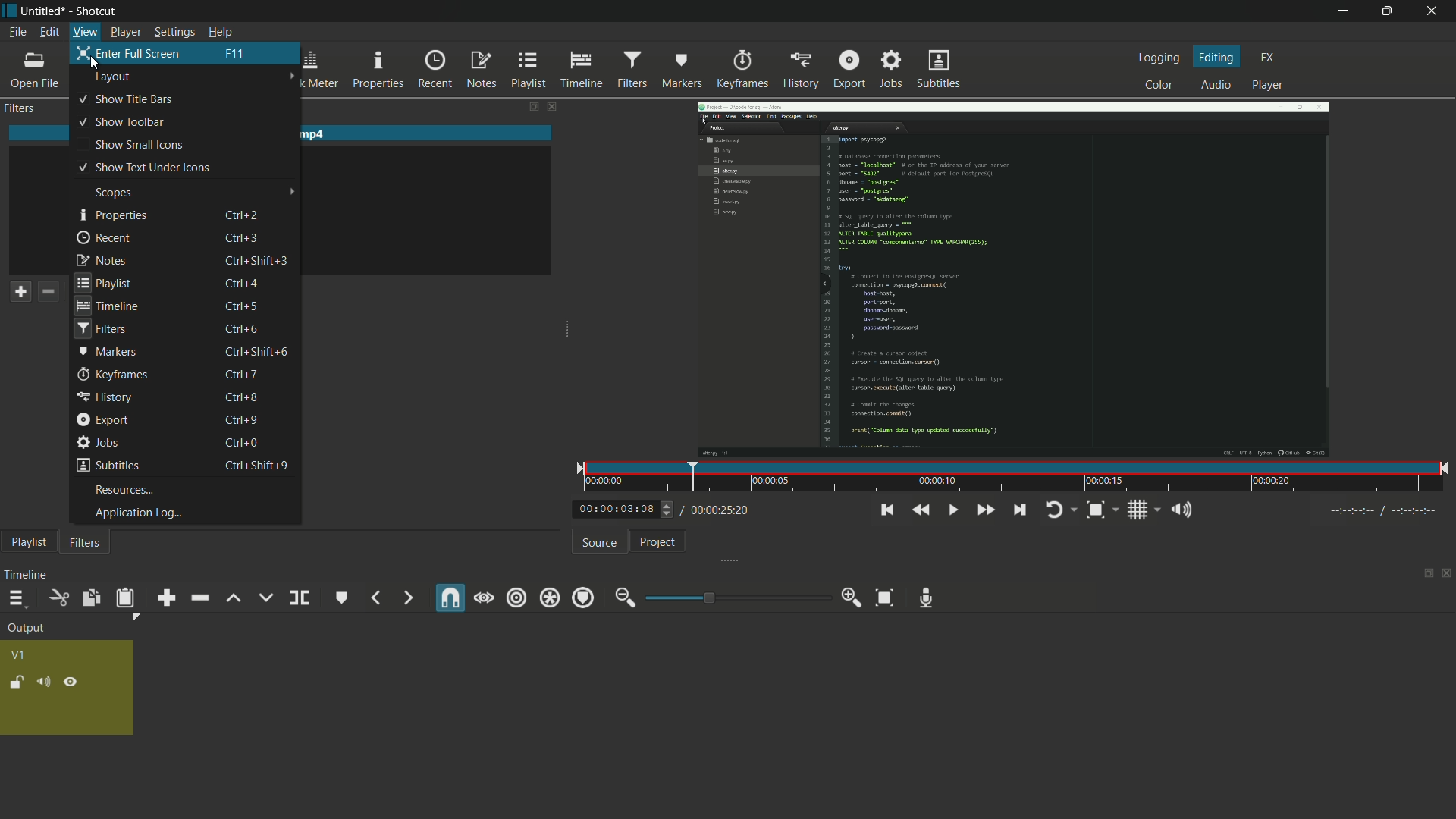 The width and height of the screenshot is (1456, 819). I want to click on properties, so click(378, 71).